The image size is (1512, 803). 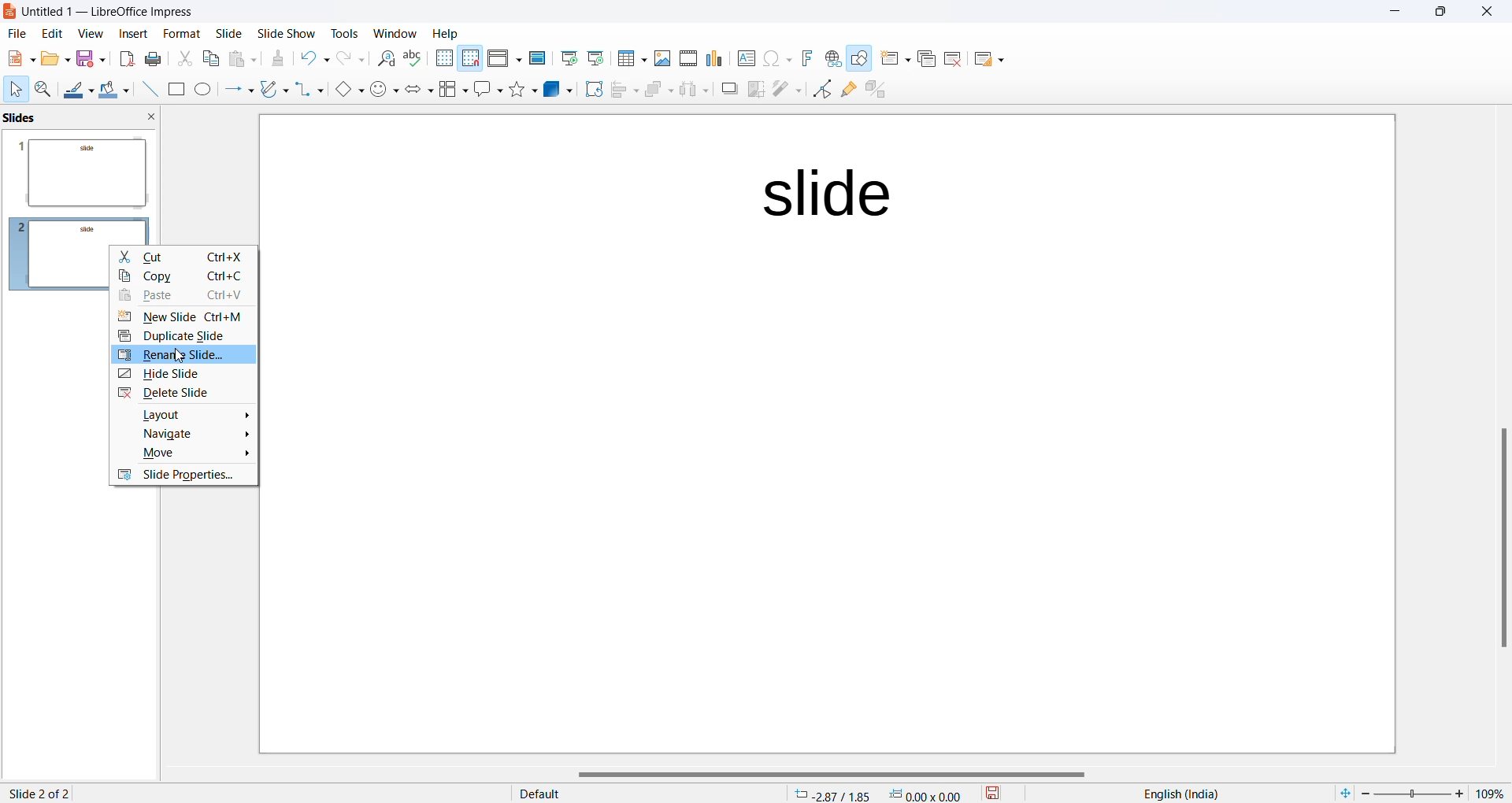 What do you see at coordinates (630, 58) in the screenshot?
I see `Insert table` at bounding box center [630, 58].